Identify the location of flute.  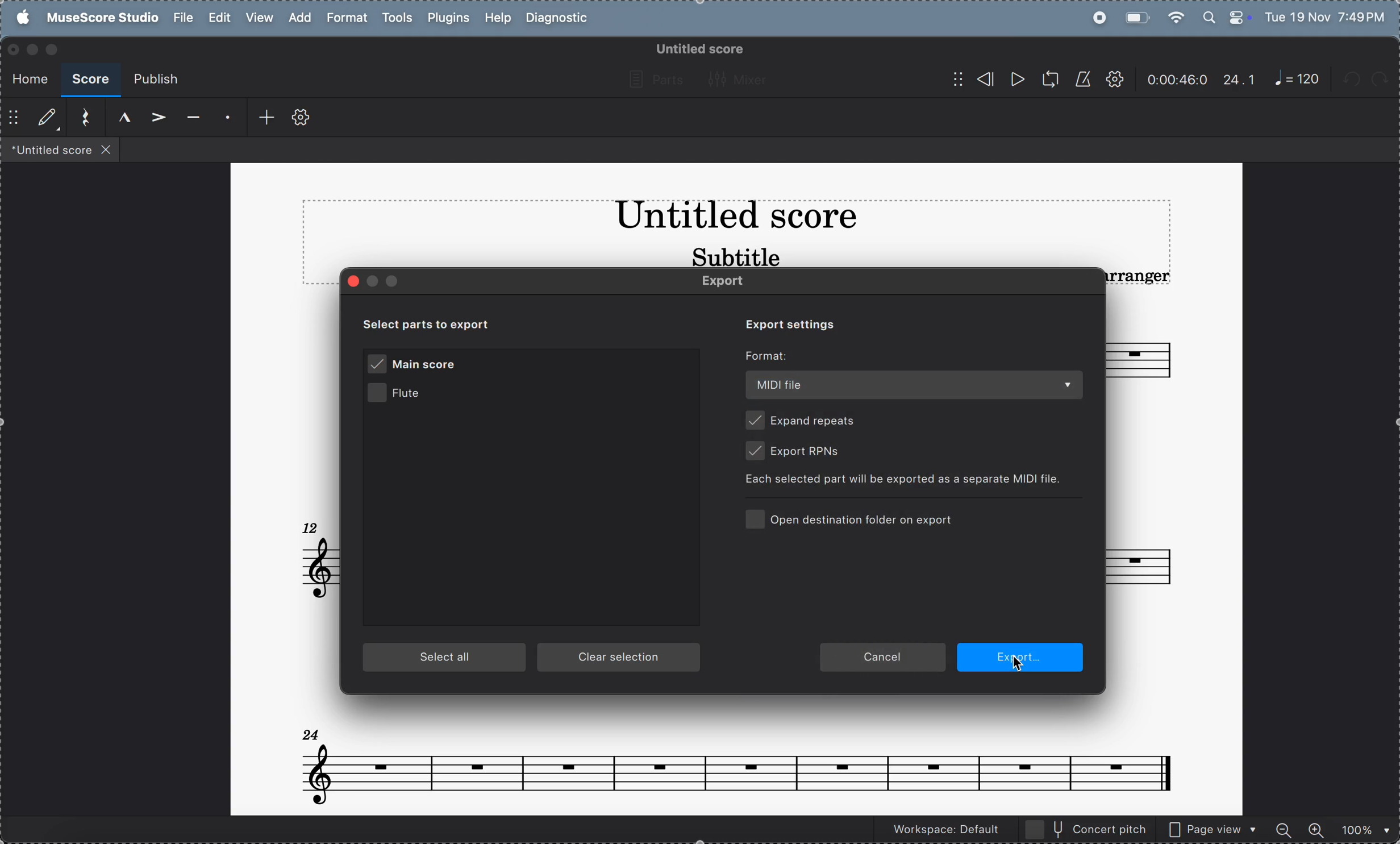
(413, 395).